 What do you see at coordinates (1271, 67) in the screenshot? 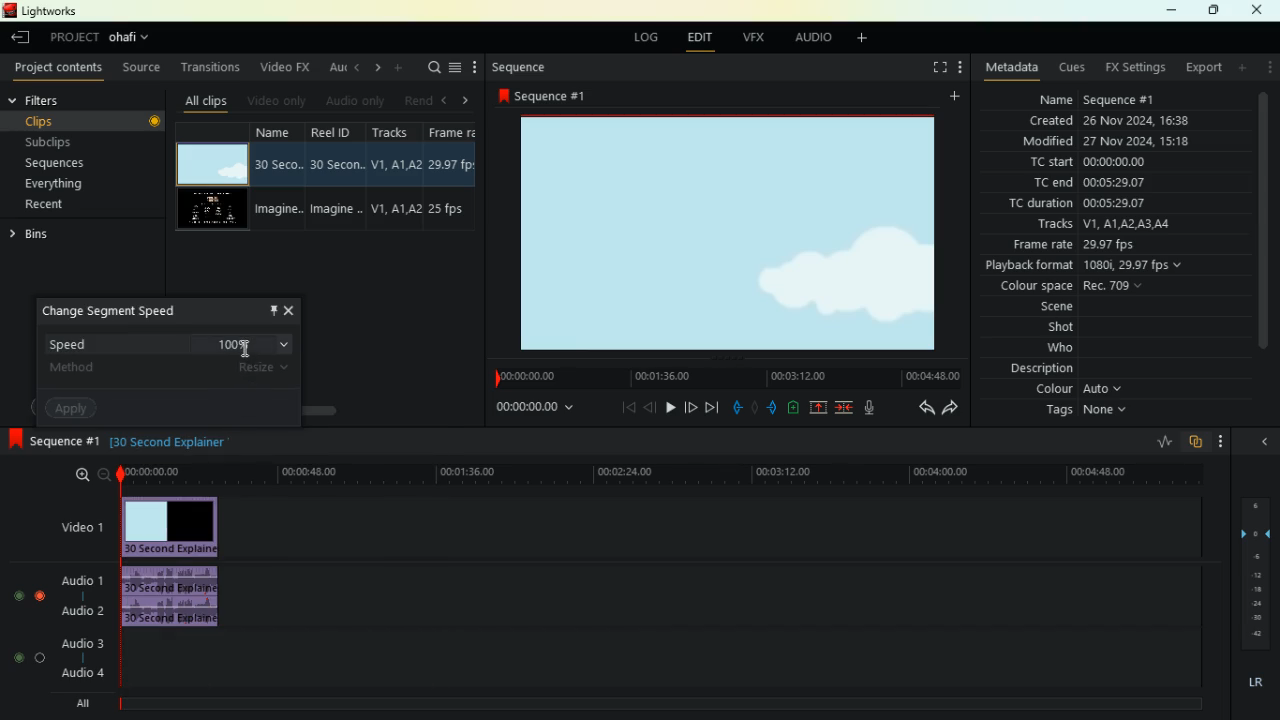
I see `more` at bounding box center [1271, 67].